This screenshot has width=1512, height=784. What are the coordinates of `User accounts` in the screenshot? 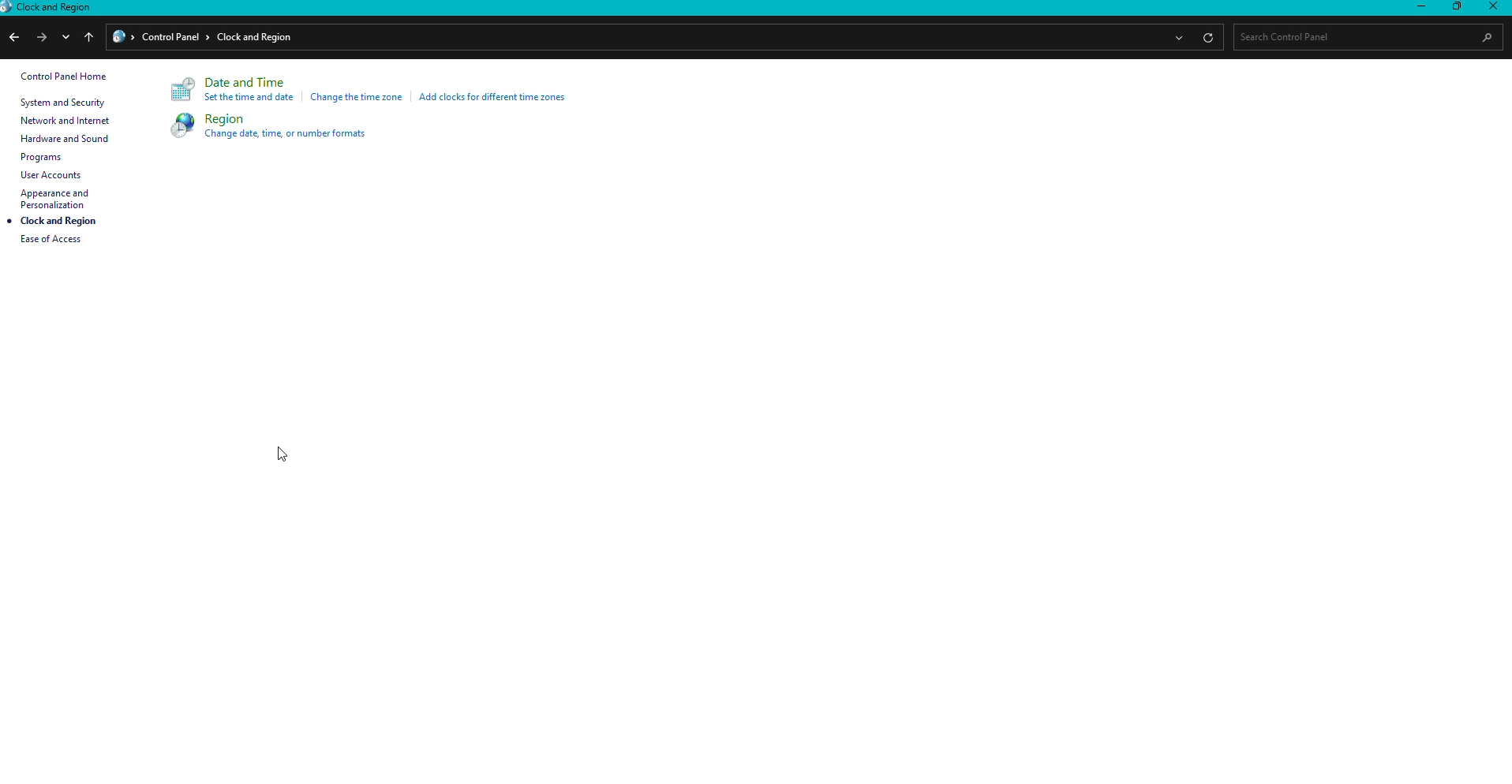 It's located at (51, 175).